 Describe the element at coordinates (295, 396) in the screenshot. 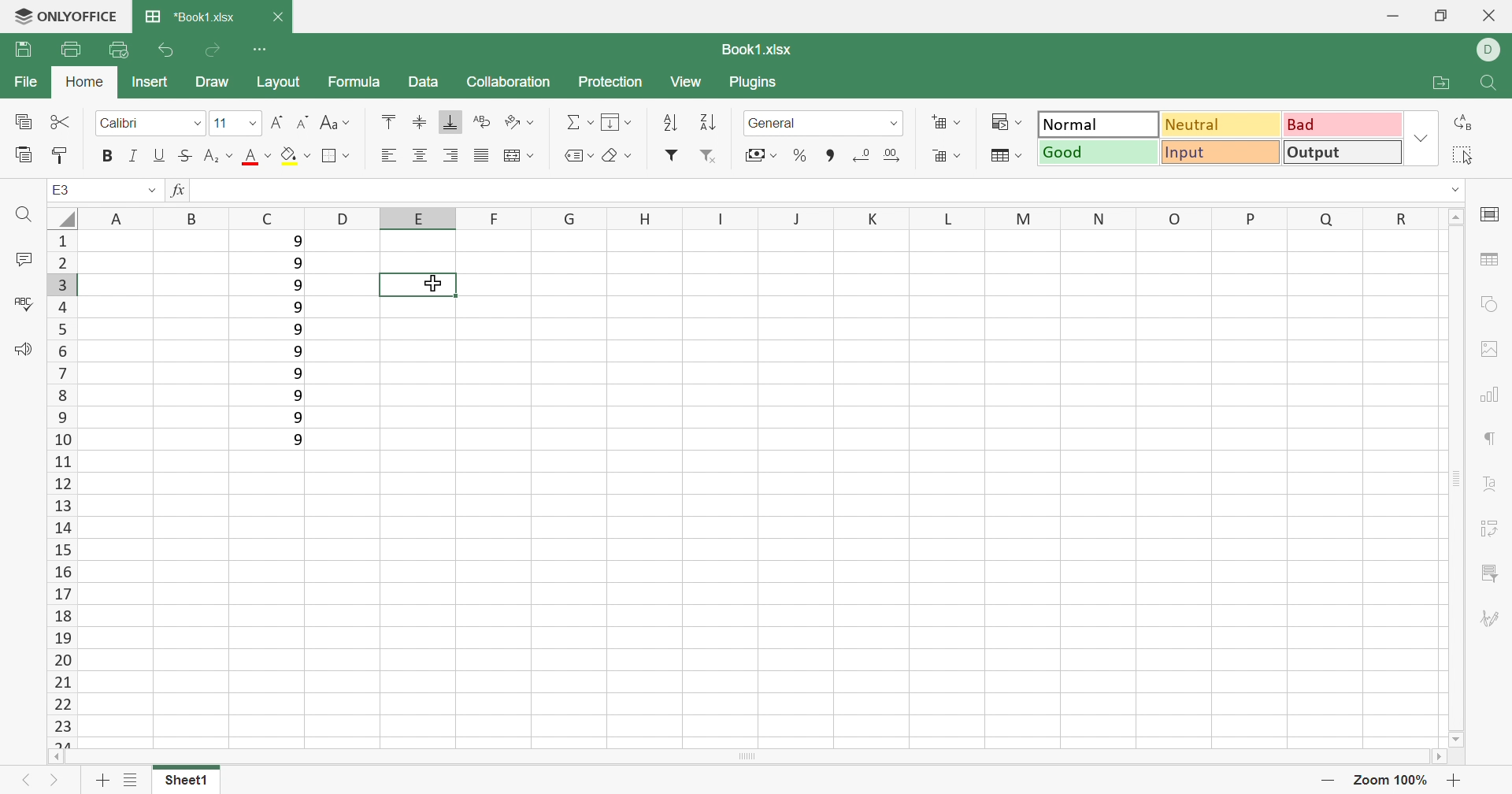

I see `9` at that location.